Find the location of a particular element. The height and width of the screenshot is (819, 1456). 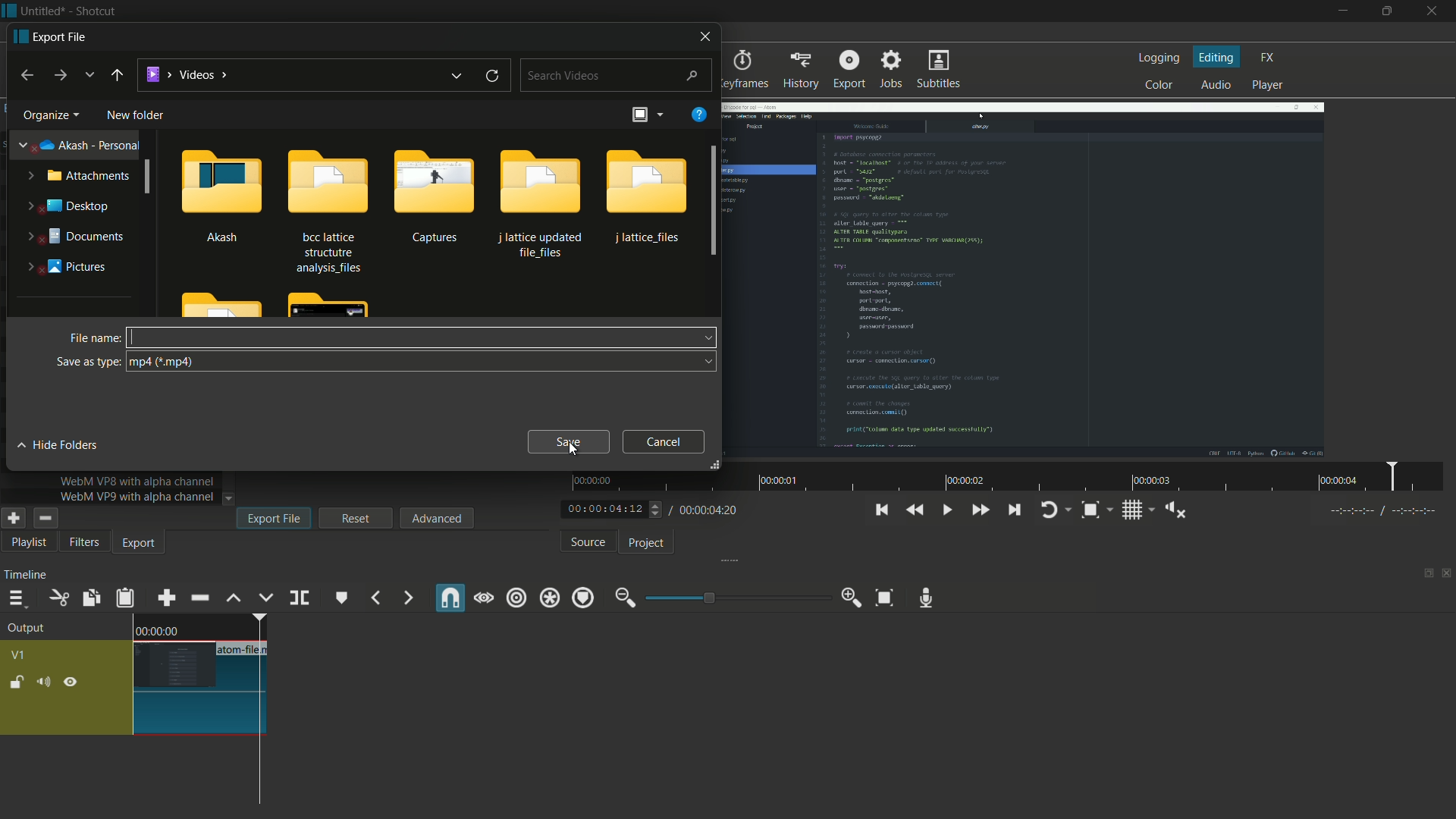

app name is located at coordinates (94, 11).